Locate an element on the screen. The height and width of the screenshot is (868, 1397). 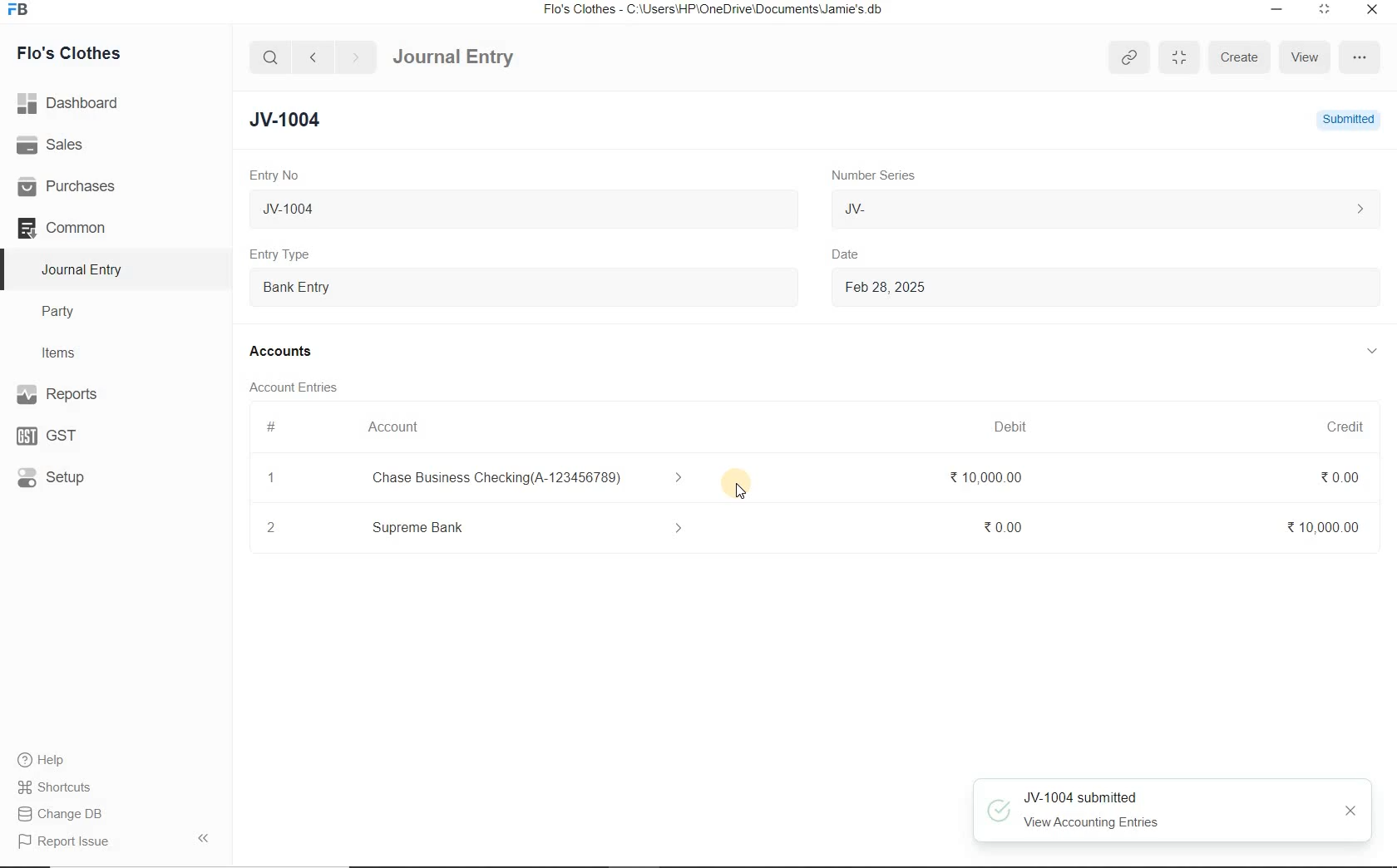
Items is located at coordinates (67, 351).